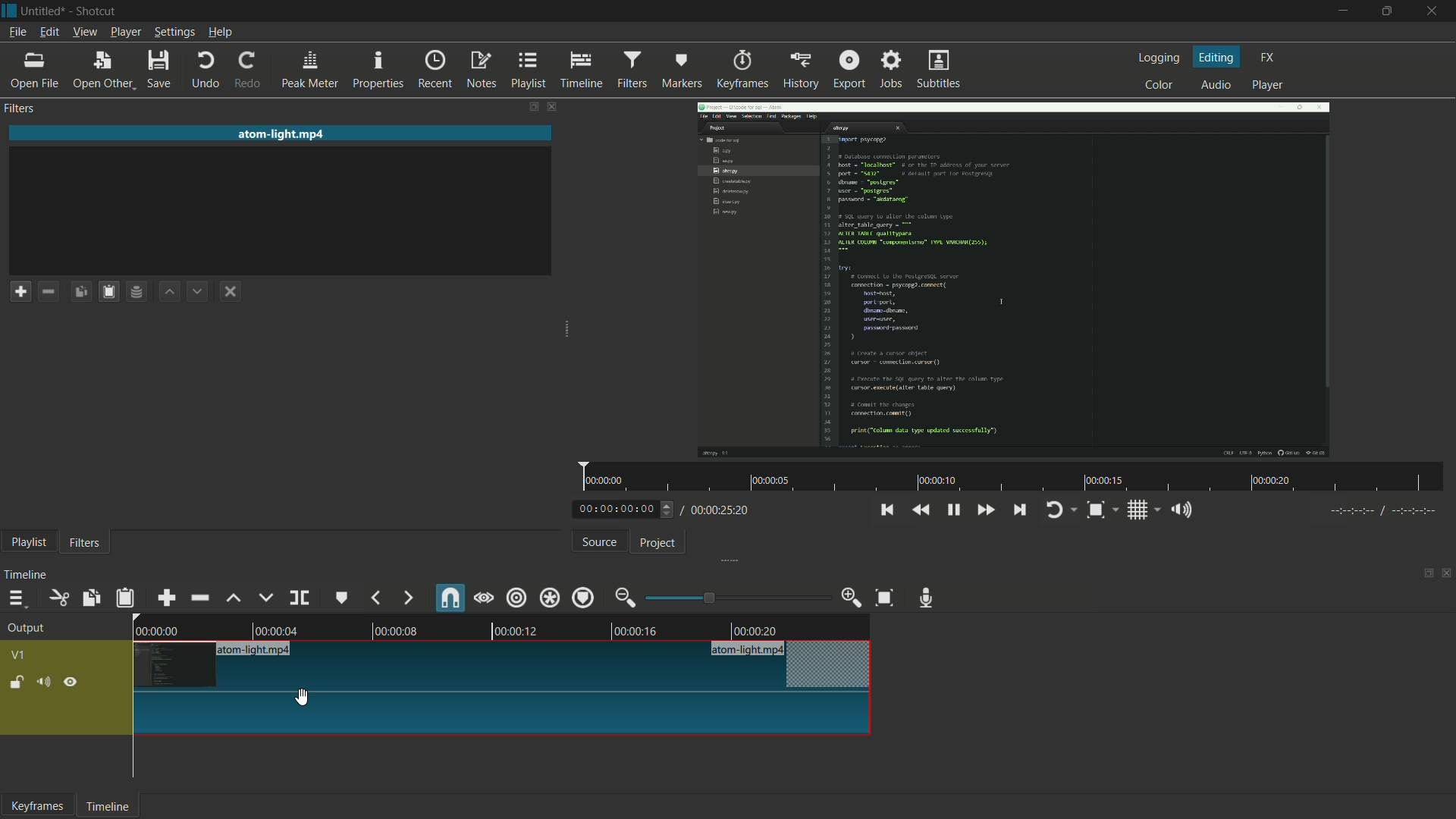  What do you see at coordinates (48, 291) in the screenshot?
I see `remove filter` at bounding box center [48, 291].